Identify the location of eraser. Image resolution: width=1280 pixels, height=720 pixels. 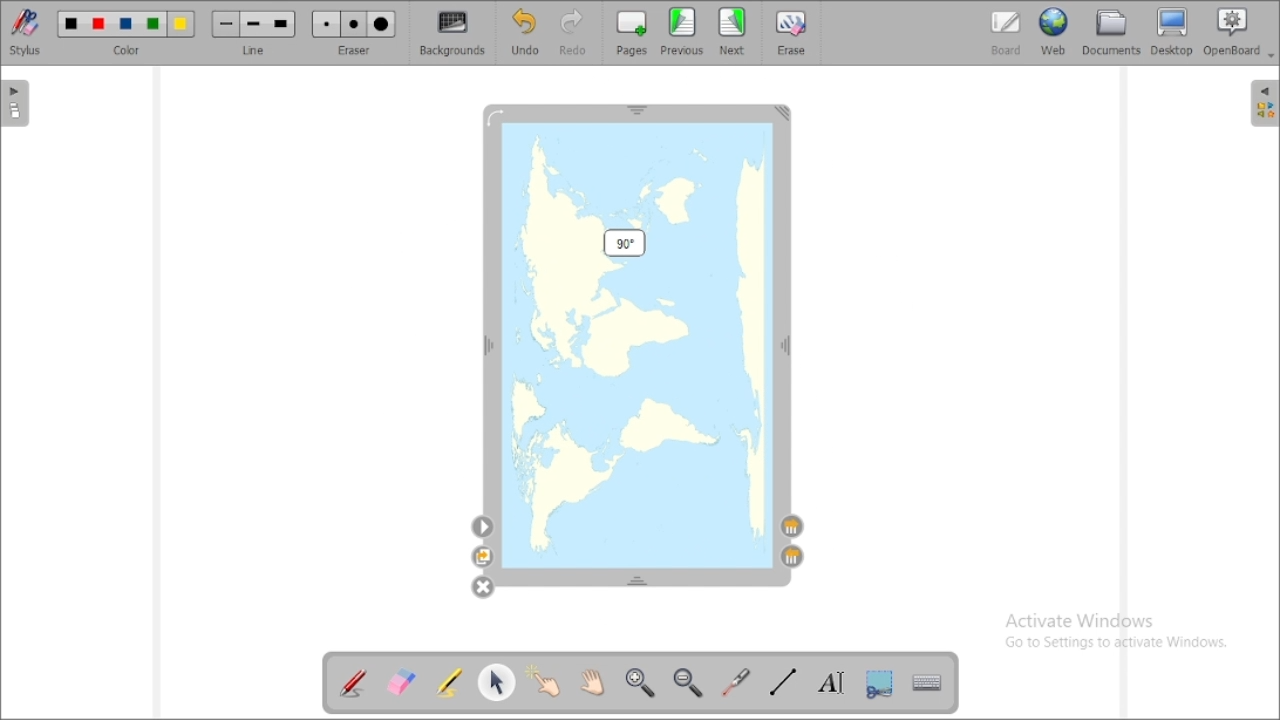
(354, 33).